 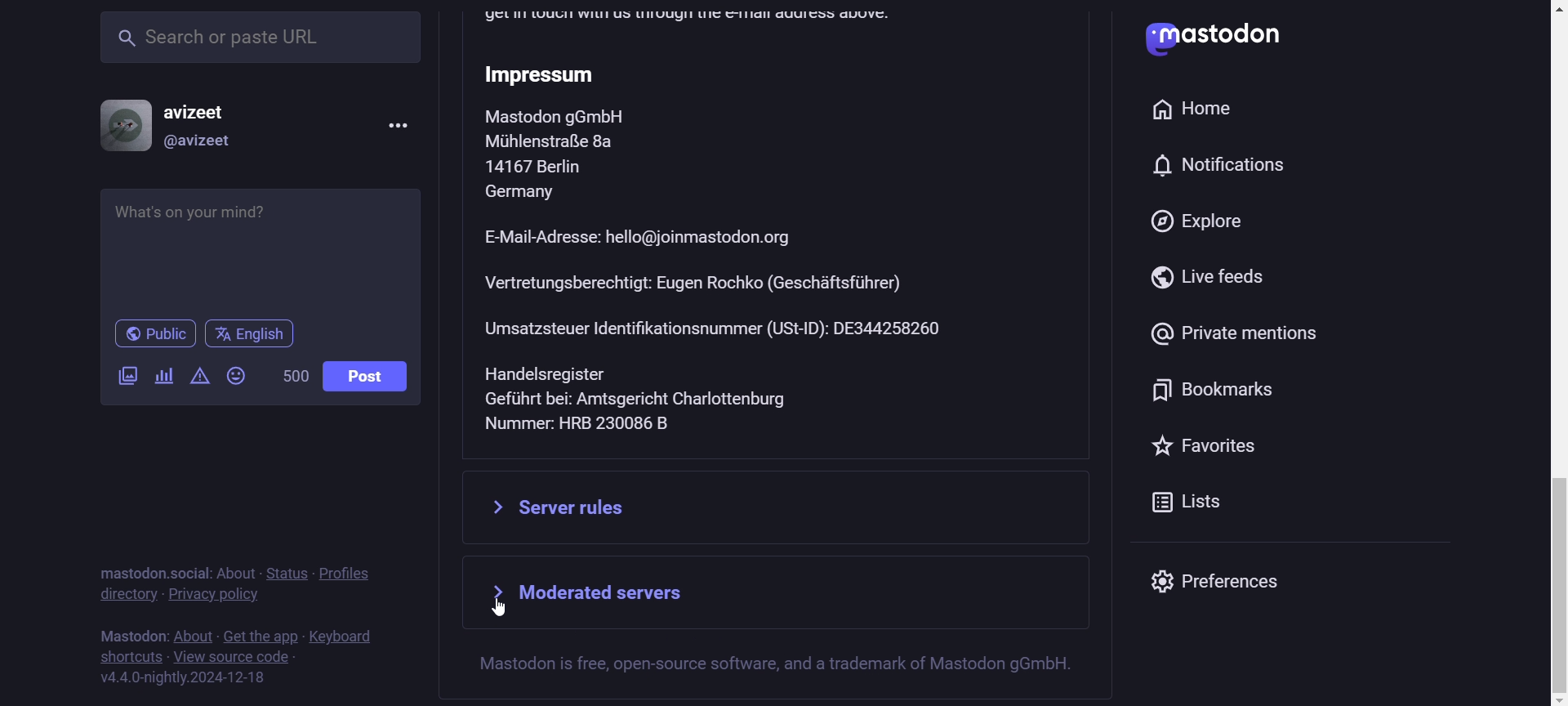 What do you see at coordinates (1143, 504) in the screenshot?
I see `lists` at bounding box center [1143, 504].